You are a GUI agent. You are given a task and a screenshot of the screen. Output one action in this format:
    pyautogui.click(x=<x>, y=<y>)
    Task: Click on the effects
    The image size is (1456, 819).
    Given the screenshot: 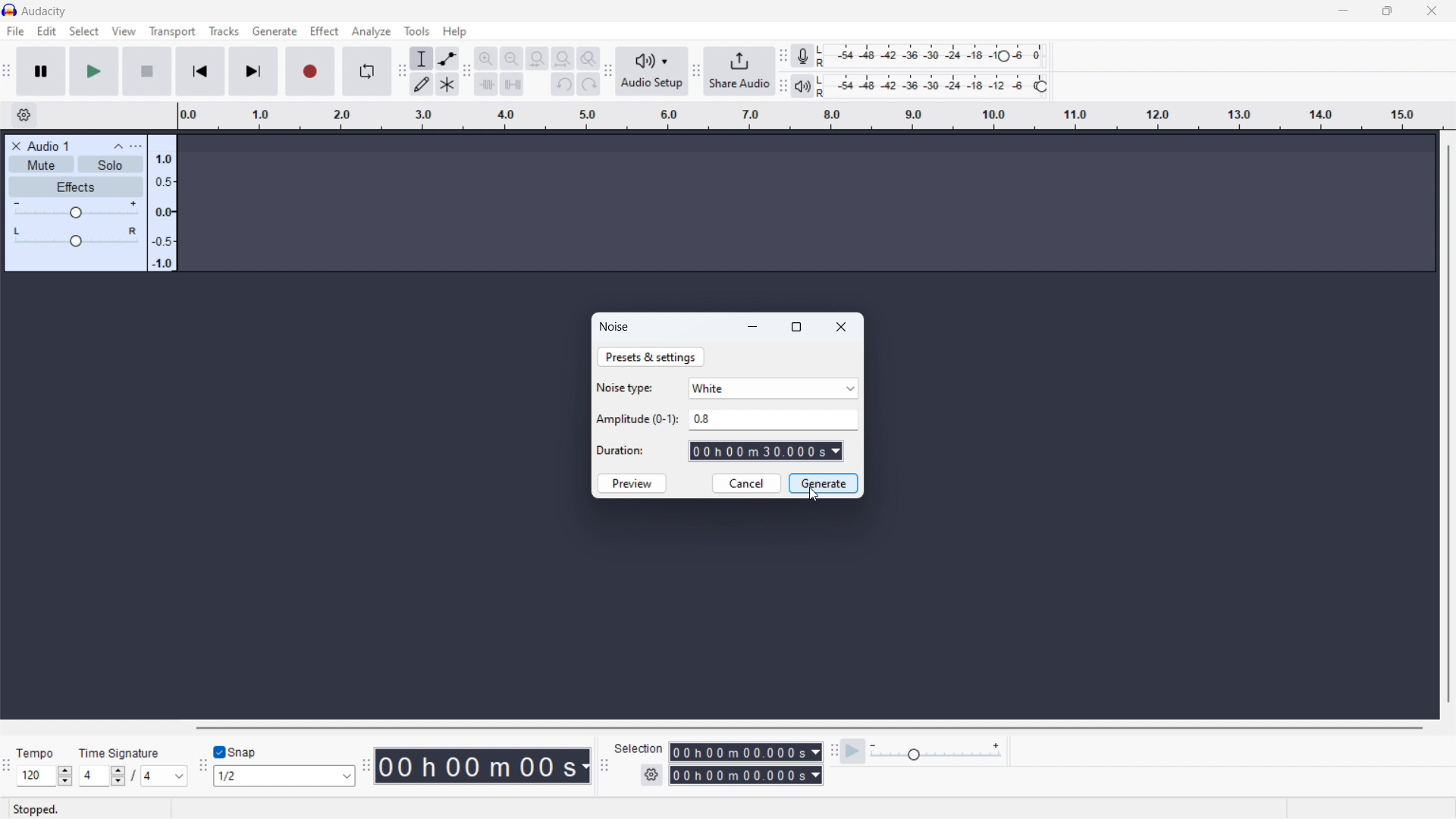 What is the action you would take?
    pyautogui.click(x=76, y=187)
    